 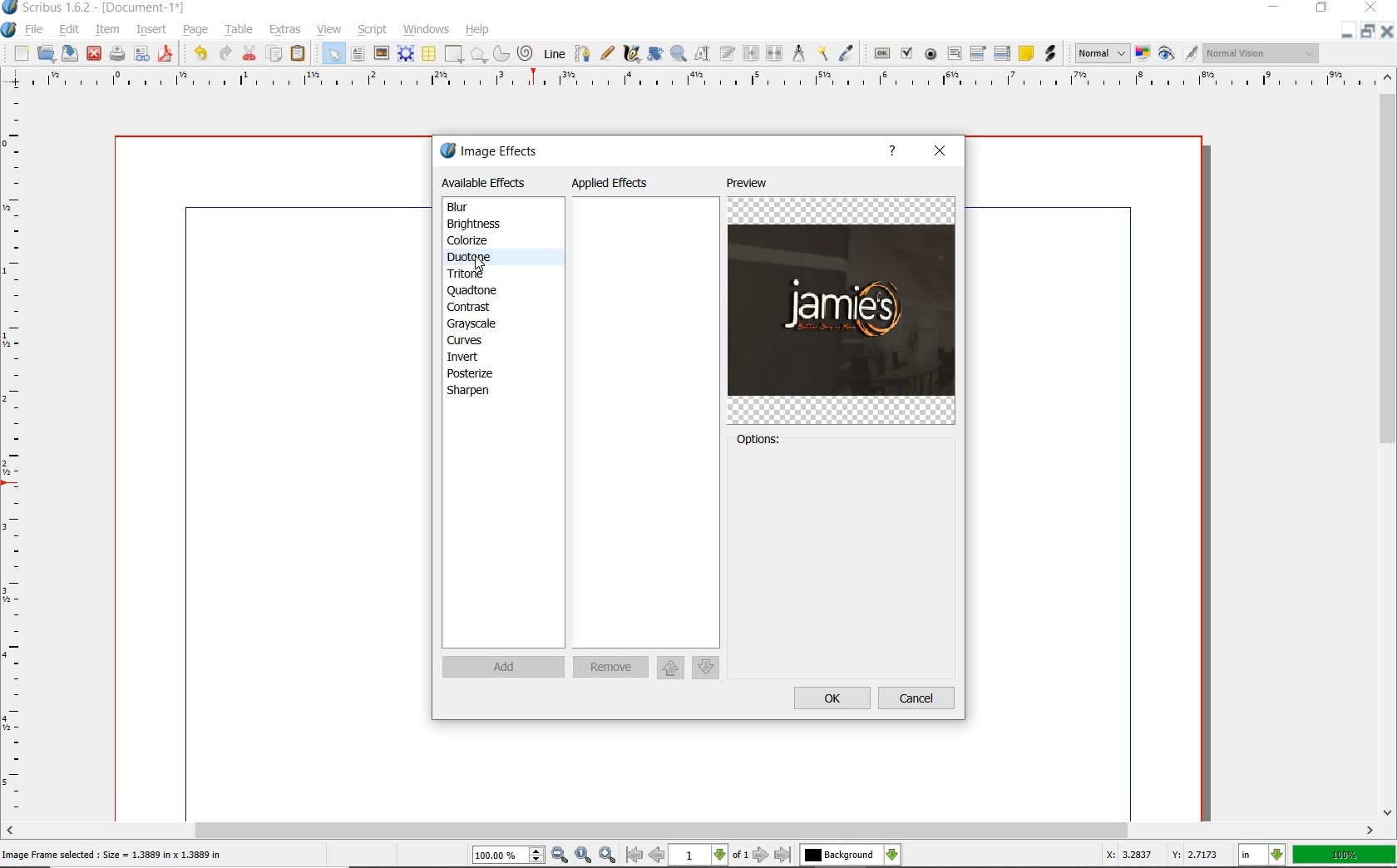 I want to click on available effects, so click(x=489, y=184).